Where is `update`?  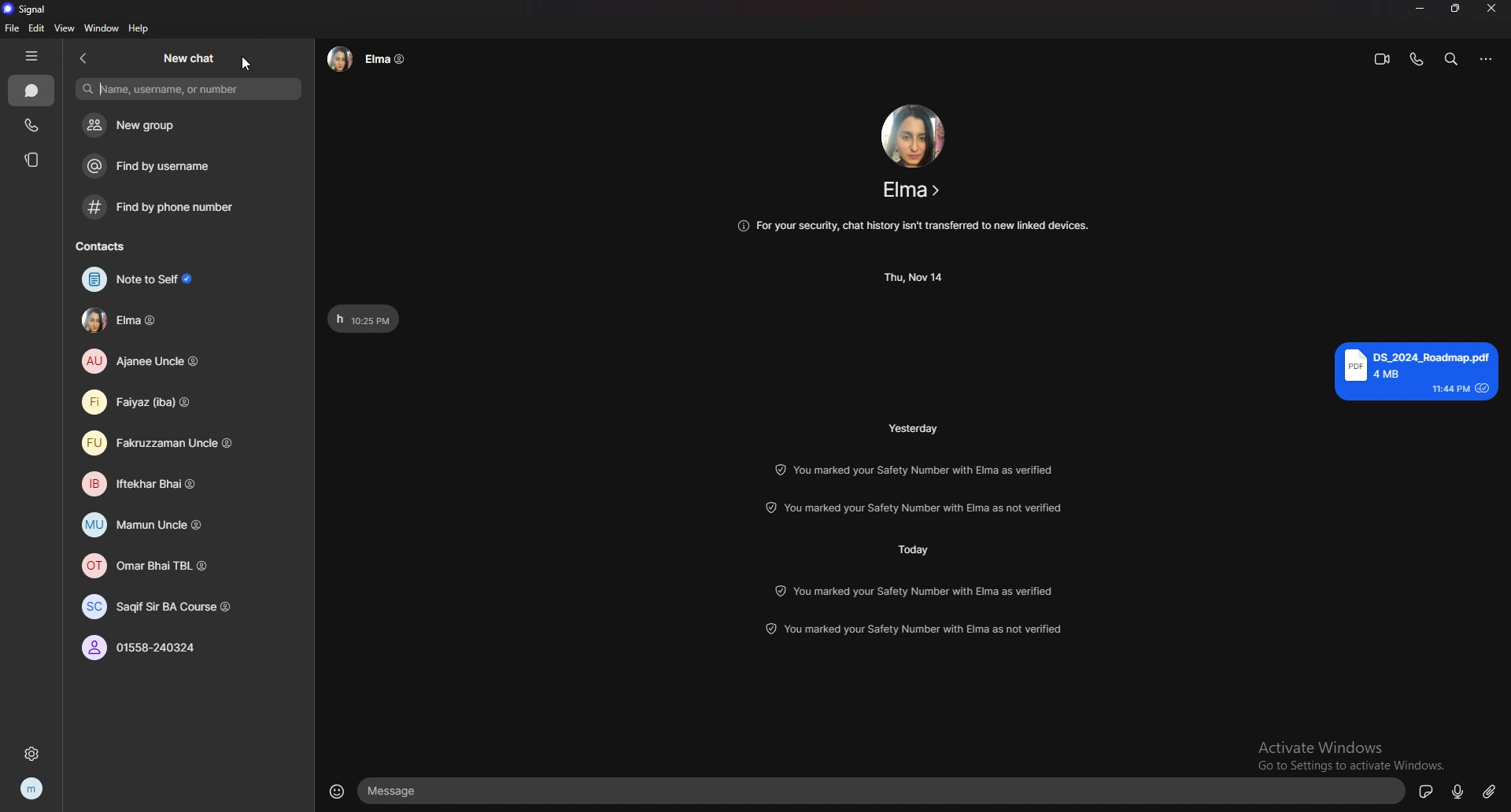
update is located at coordinates (917, 590).